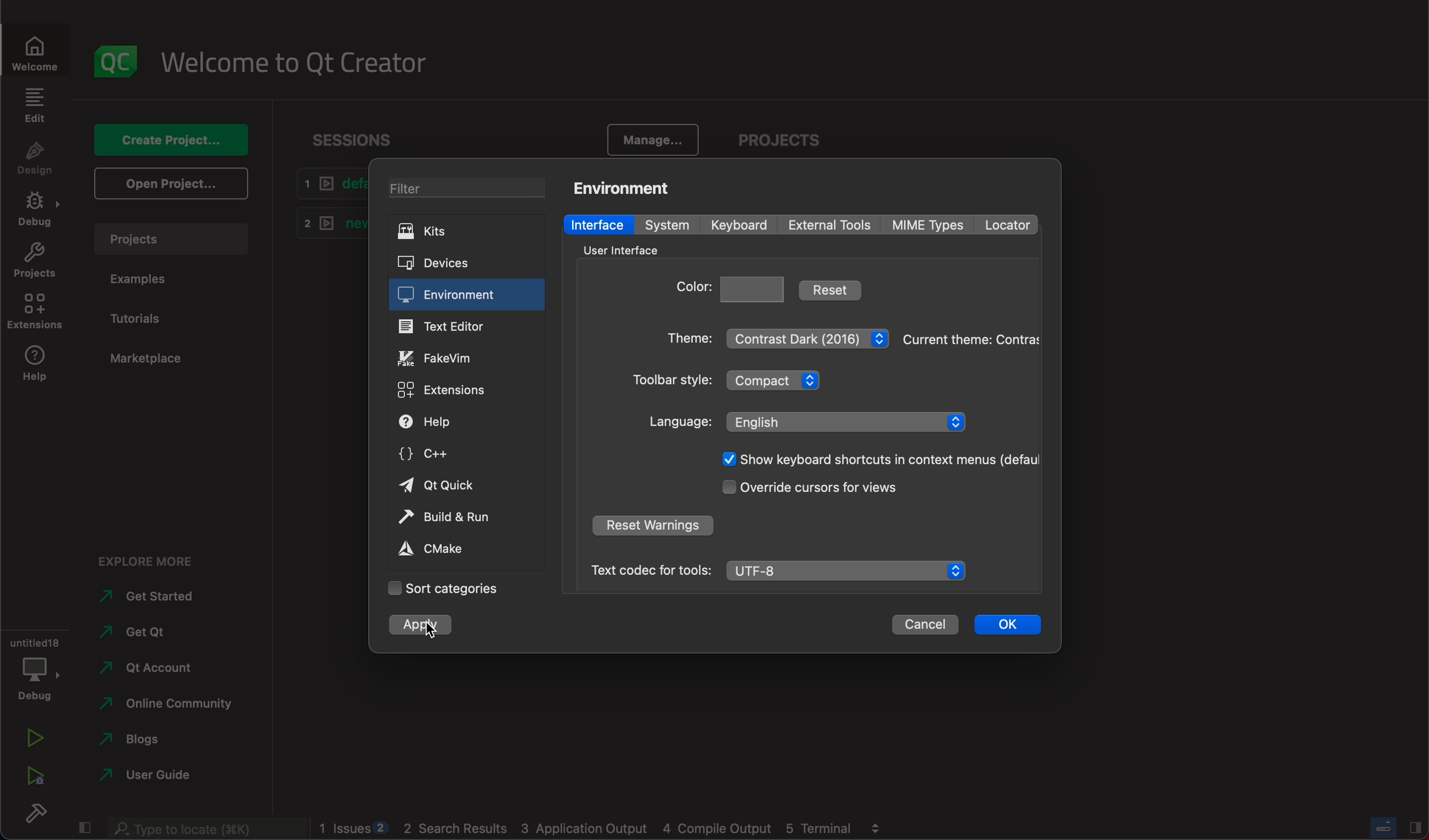 The image size is (1429, 840). Describe the element at coordinates (603, 829) in the screenshot. I see `logs` at that location.